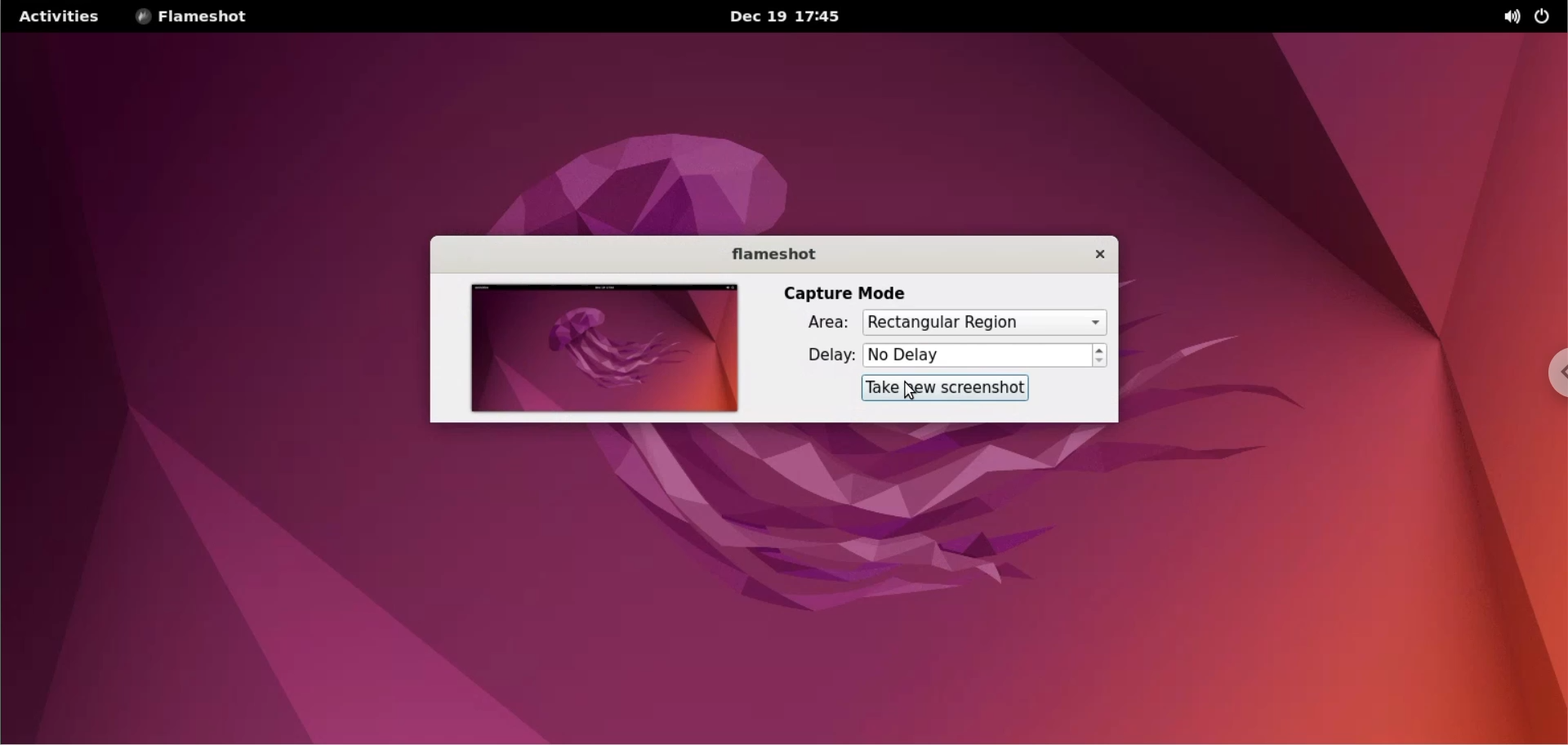 The height and width of the screenshot is (745, 1568). What do you see at coordinates (905, 391) in the screenshot?
I see `cursor ` at bounding box center [905, 391].